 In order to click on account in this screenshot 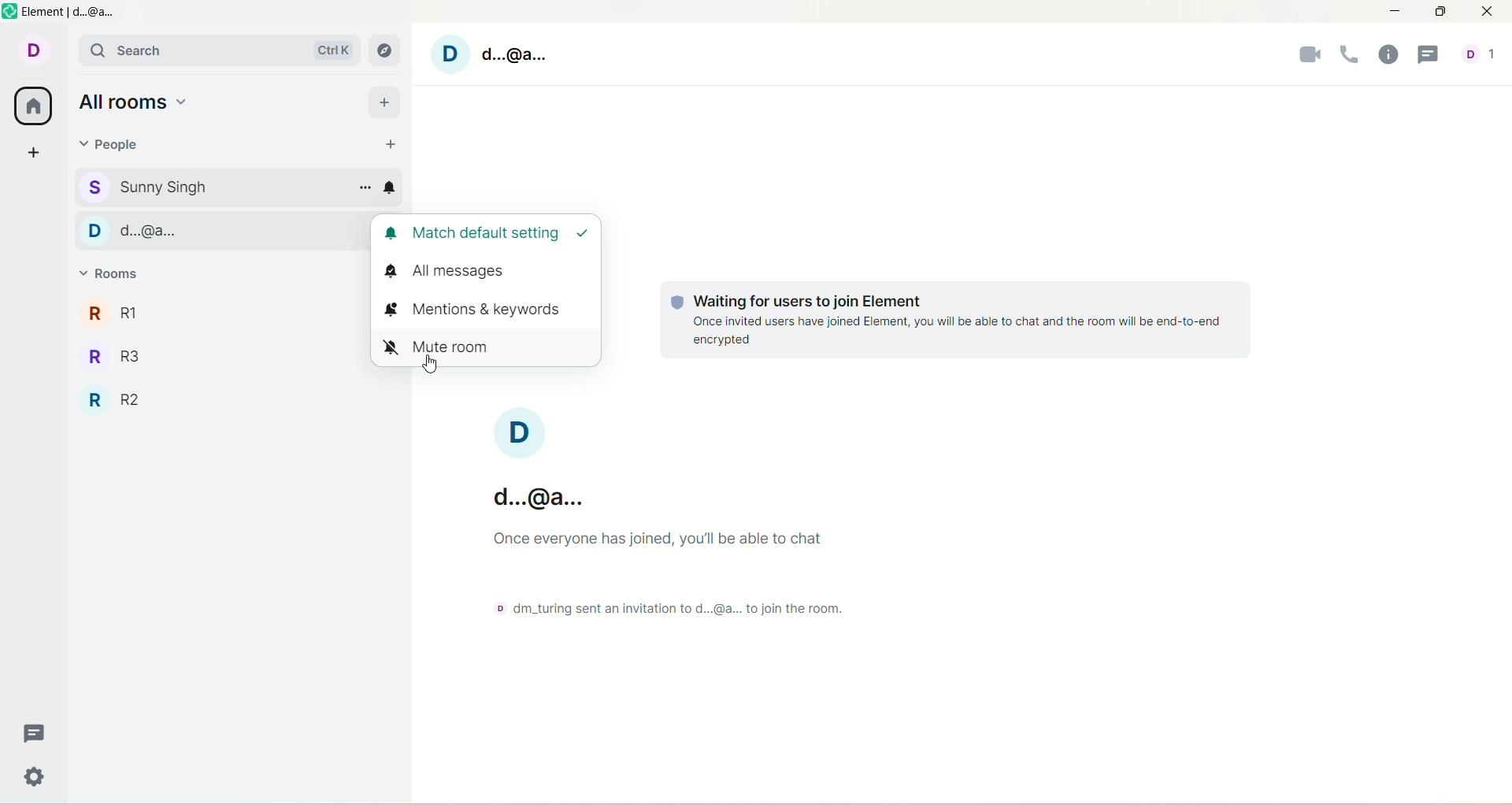, I will do `click(1482, 50)`.